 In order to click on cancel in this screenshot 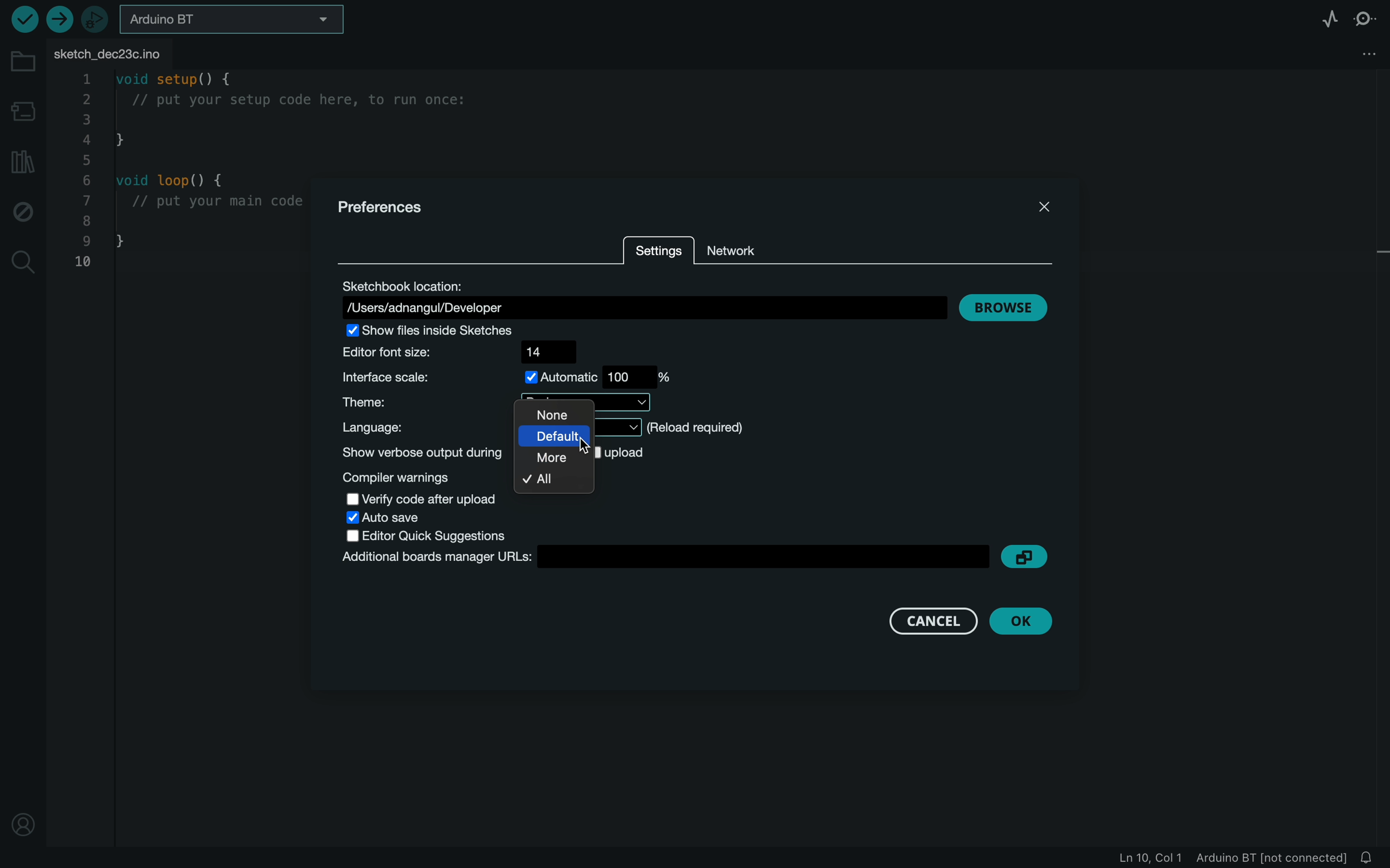, I will do `click(936, 621)`.